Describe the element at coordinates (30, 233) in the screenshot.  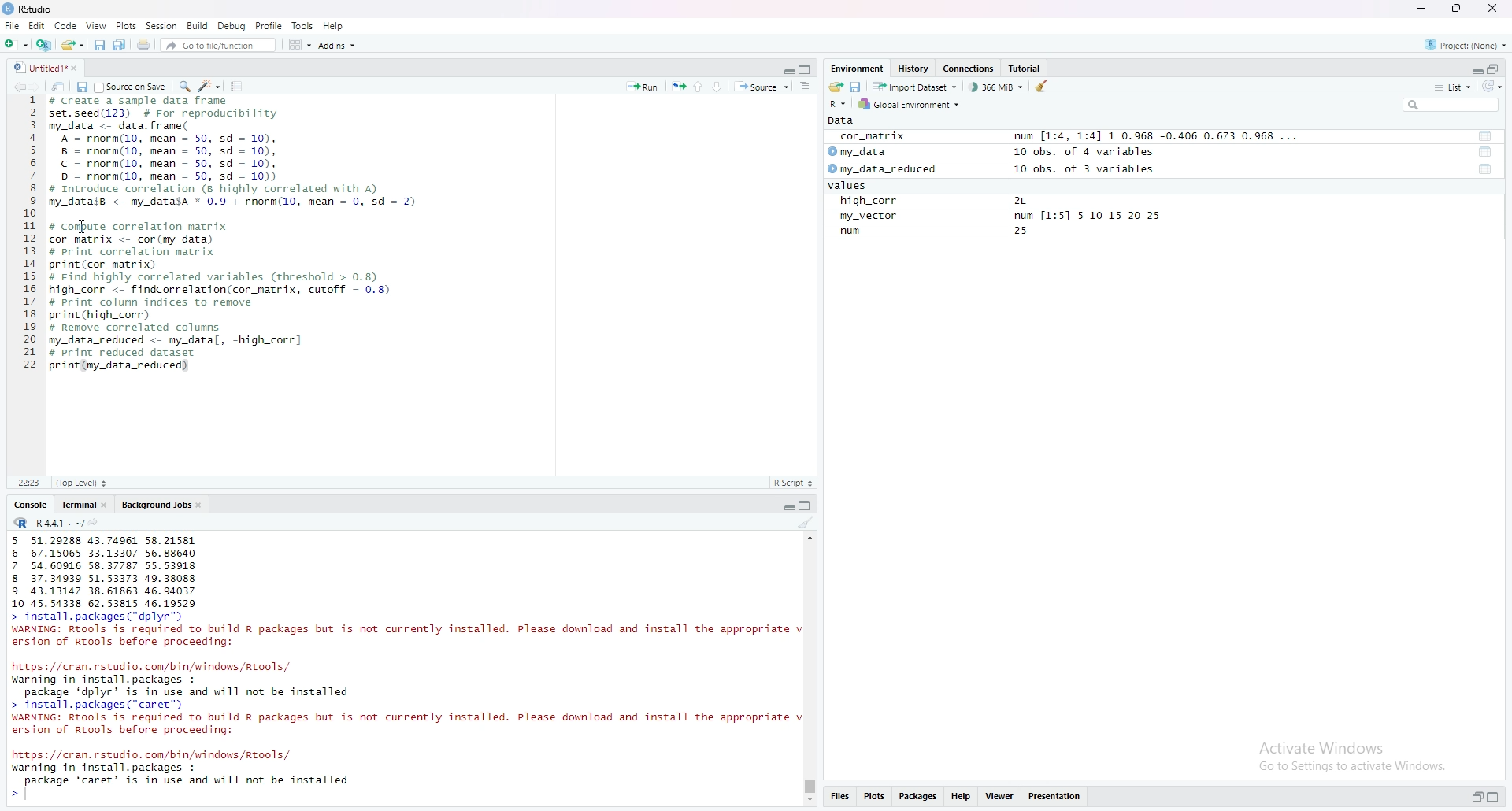
I see `1 2 3 4 5 6 7 8 9 10 11 12 13 14 15 16 17 18 19 20 21 22` at that location.